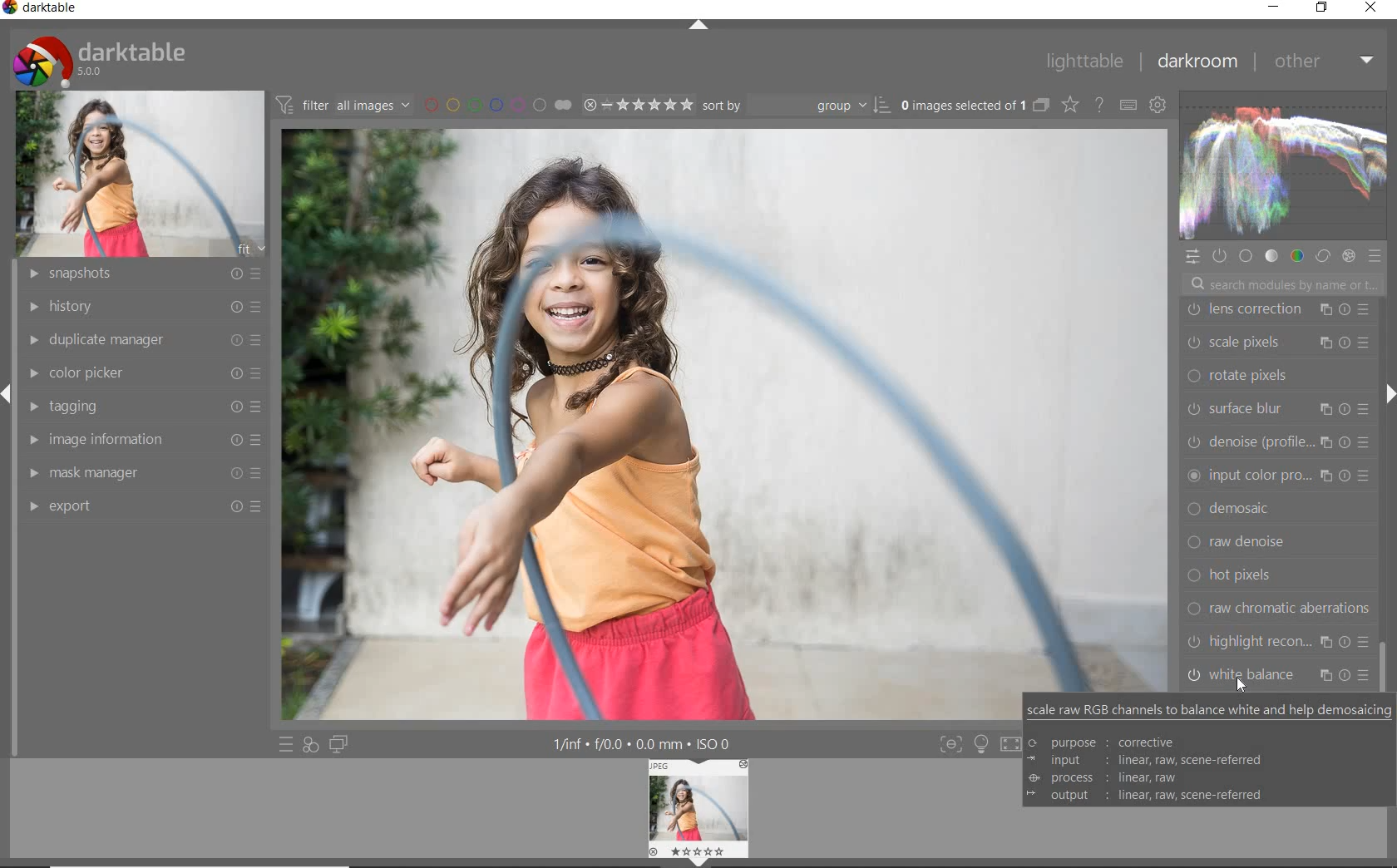  What do you see at coordinates (1277, 640) in the screenshot?
I see `toggle mode ` at bounding box center [1277, 640].